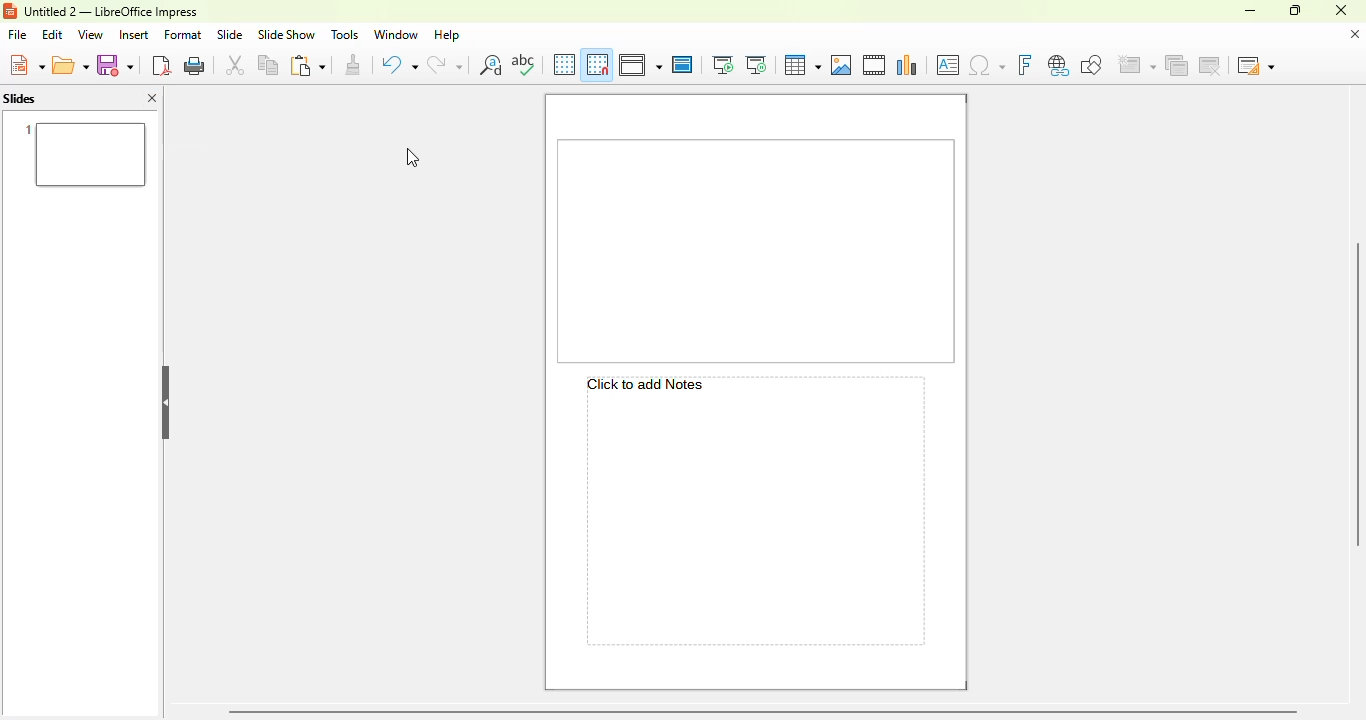 Image resolution: width=1366 pixels, height=720 pixels. Describe the element at coordinates (81, 154) in the screenshot. I see `slide 1` at that location.